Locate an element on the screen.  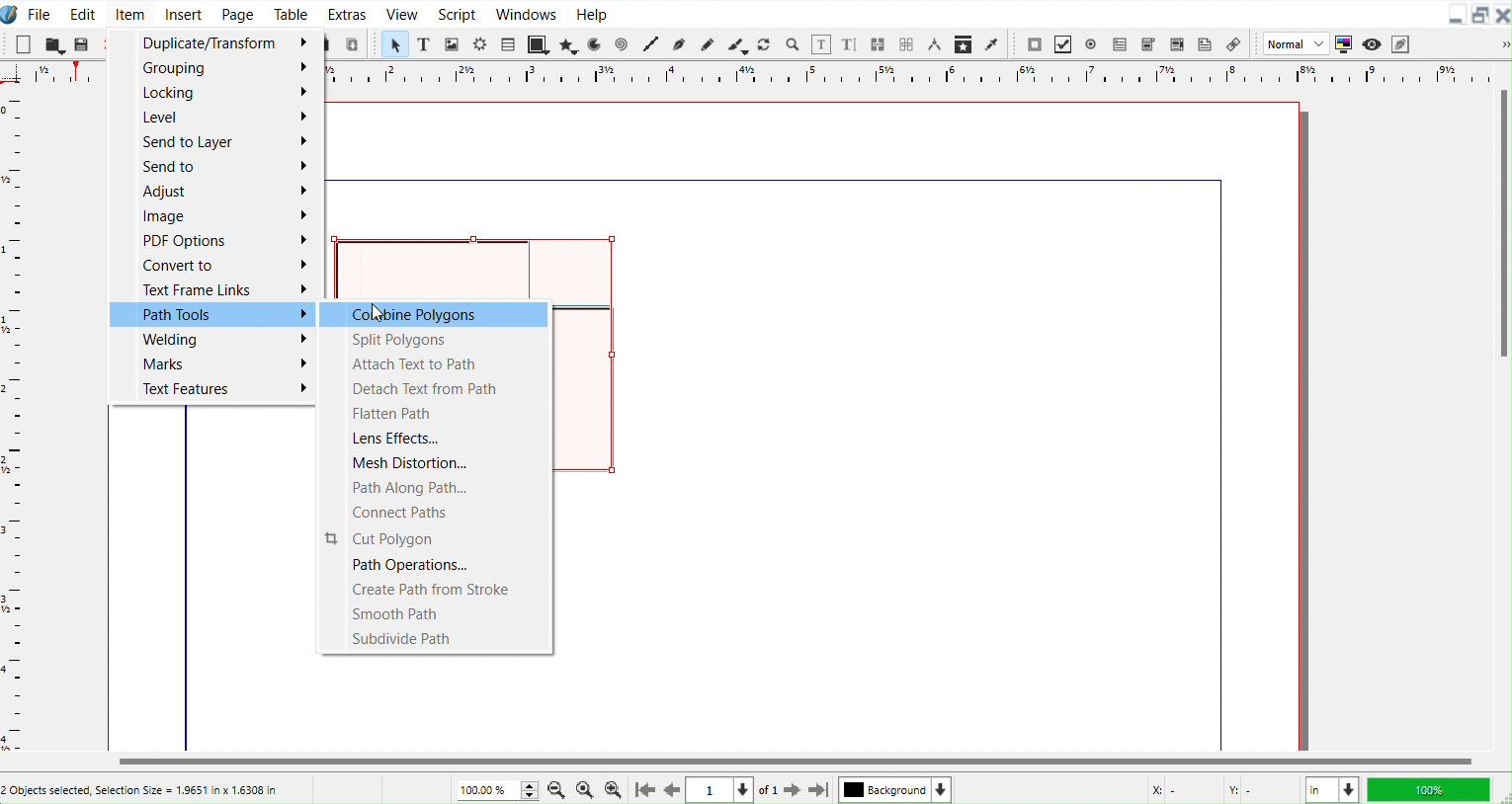
Send To Layer is located at coordinates (215, 142).